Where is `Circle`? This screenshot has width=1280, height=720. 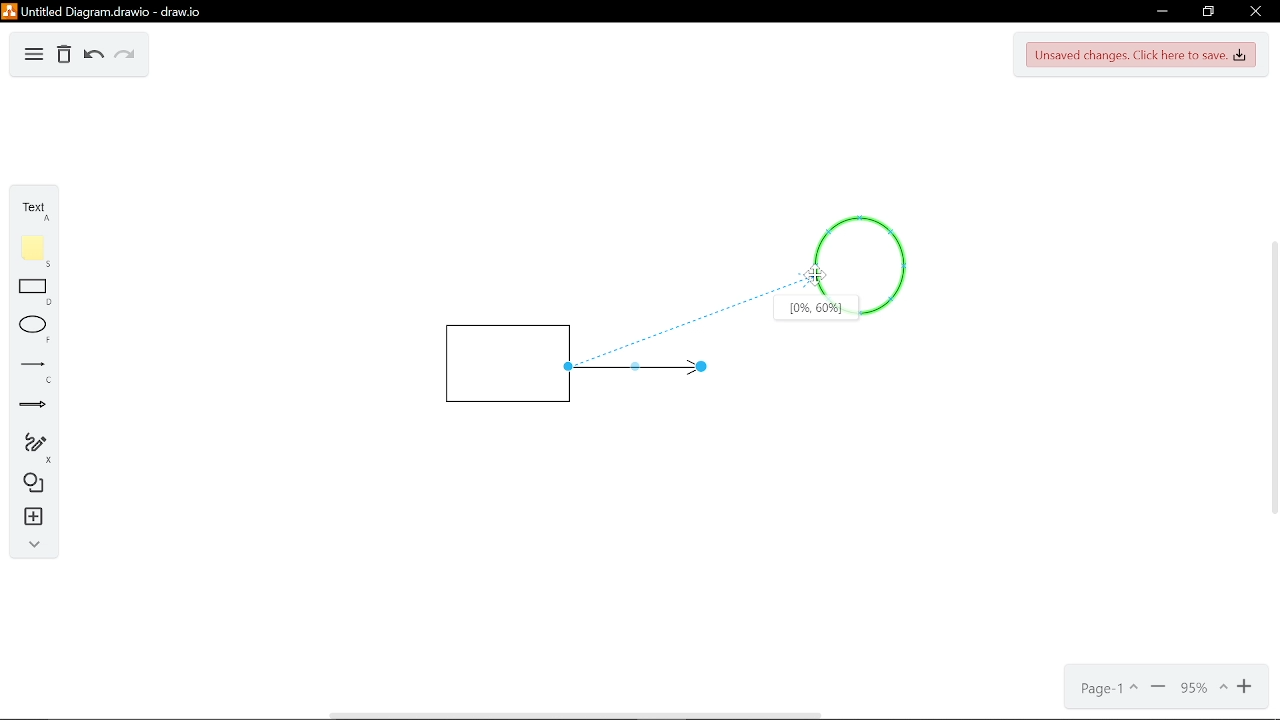
Circle is located at coordinates (858, 272).